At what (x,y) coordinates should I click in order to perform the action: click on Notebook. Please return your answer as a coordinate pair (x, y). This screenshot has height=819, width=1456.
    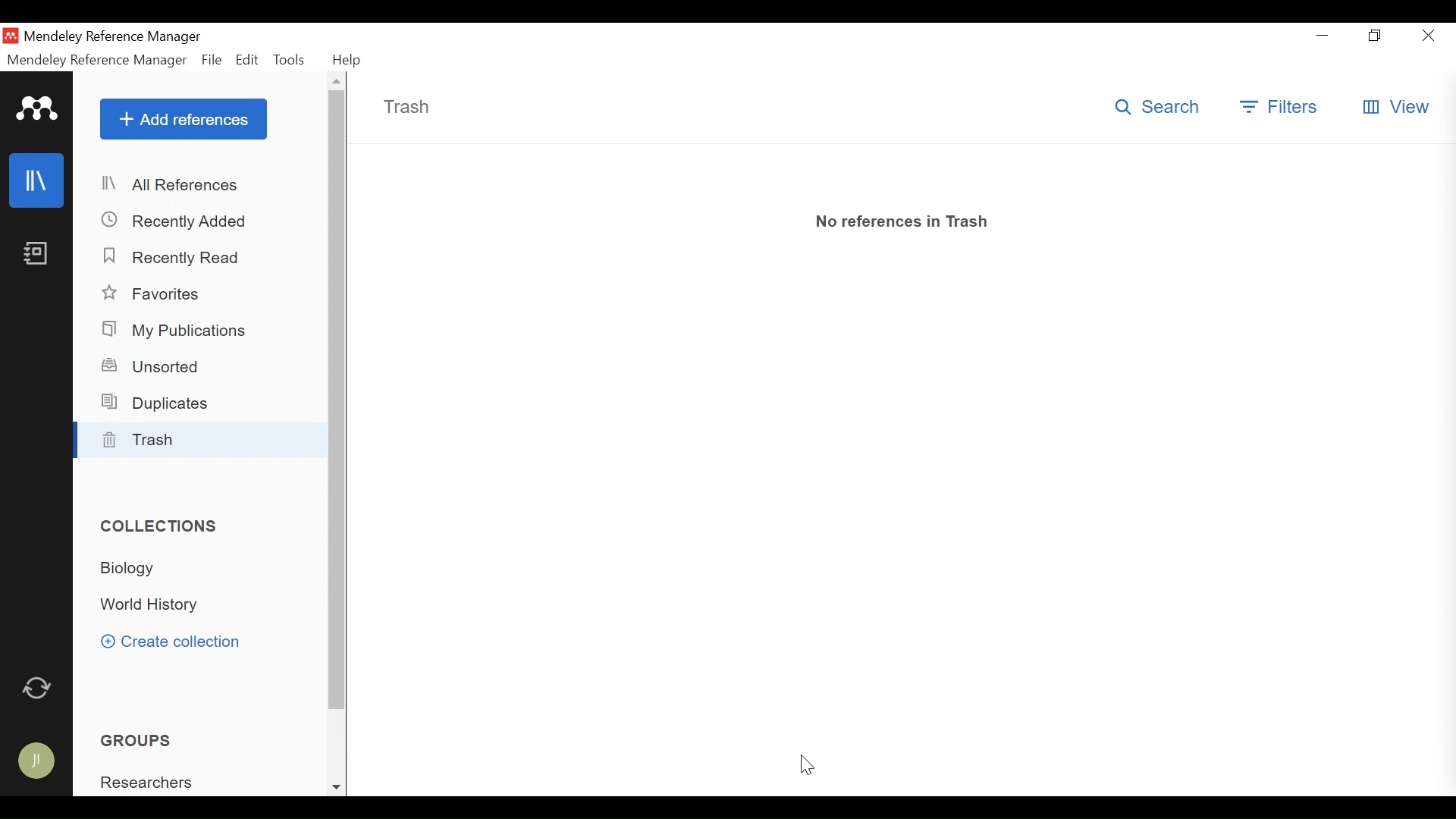
    Looking at the image, I should click on (35, 255).